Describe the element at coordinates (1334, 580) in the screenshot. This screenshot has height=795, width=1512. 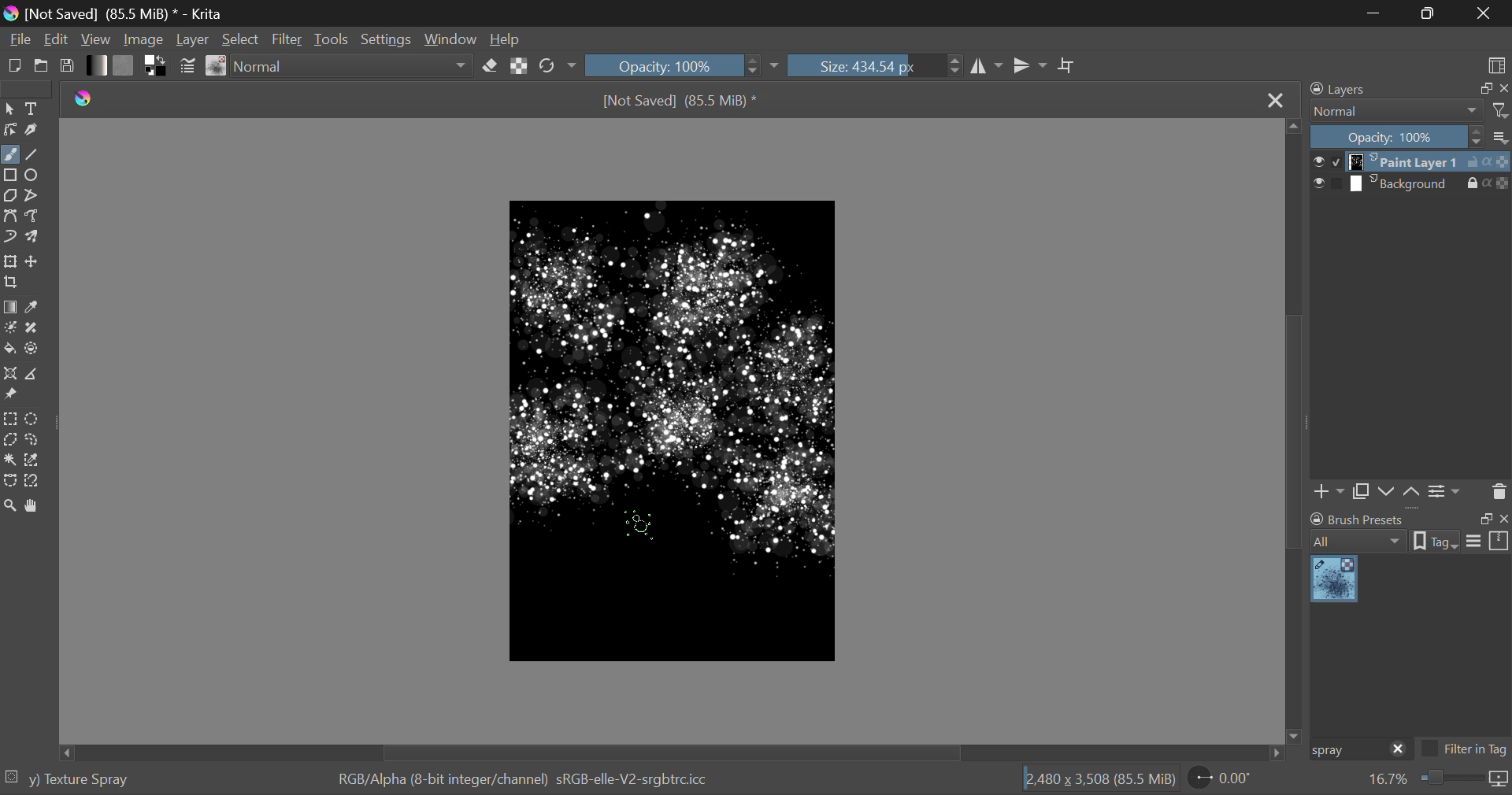
I see `Spray Brush Preset` at that location.